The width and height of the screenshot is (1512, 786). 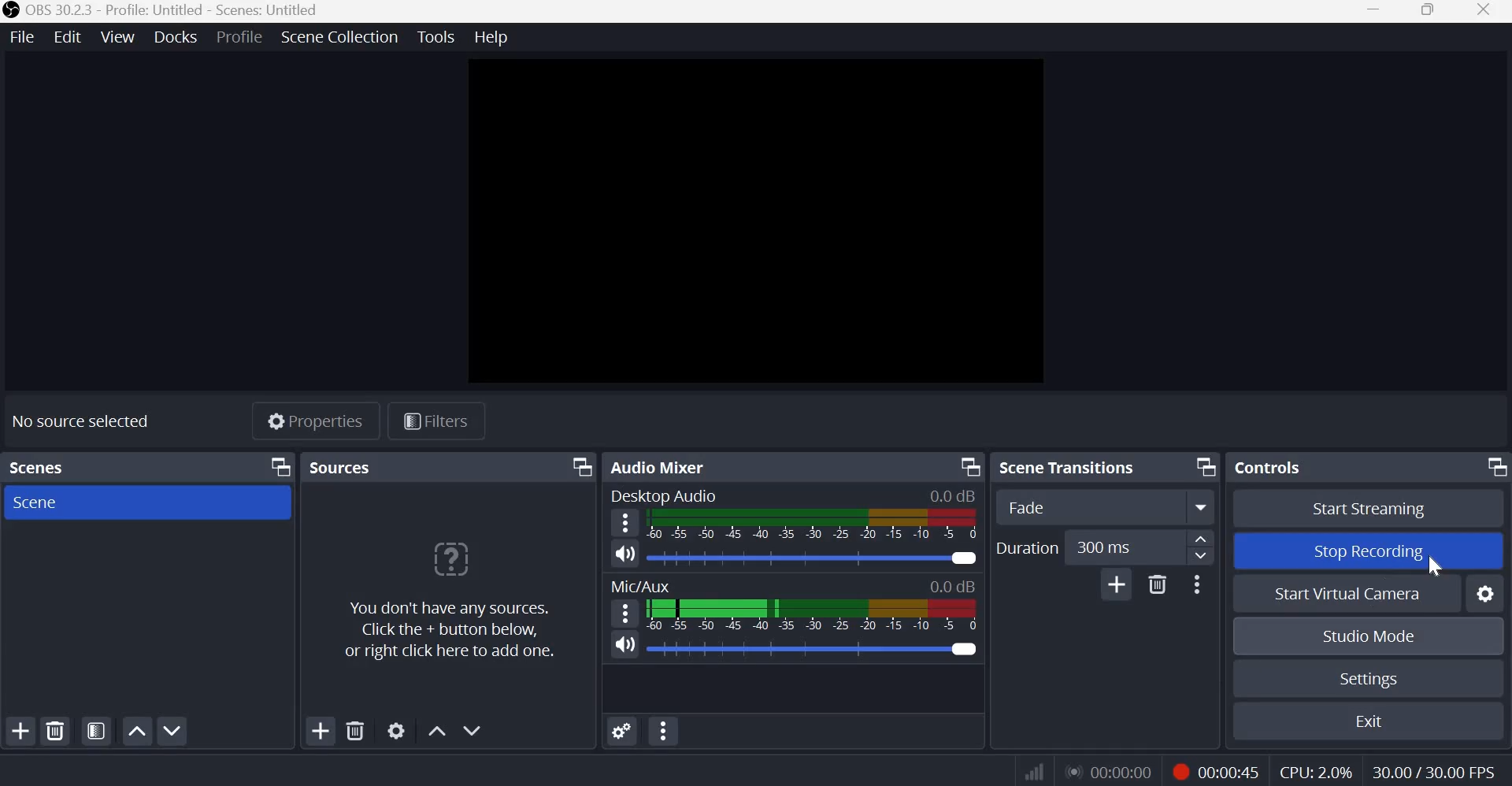 I want to click on , so click(x=793, y=651).